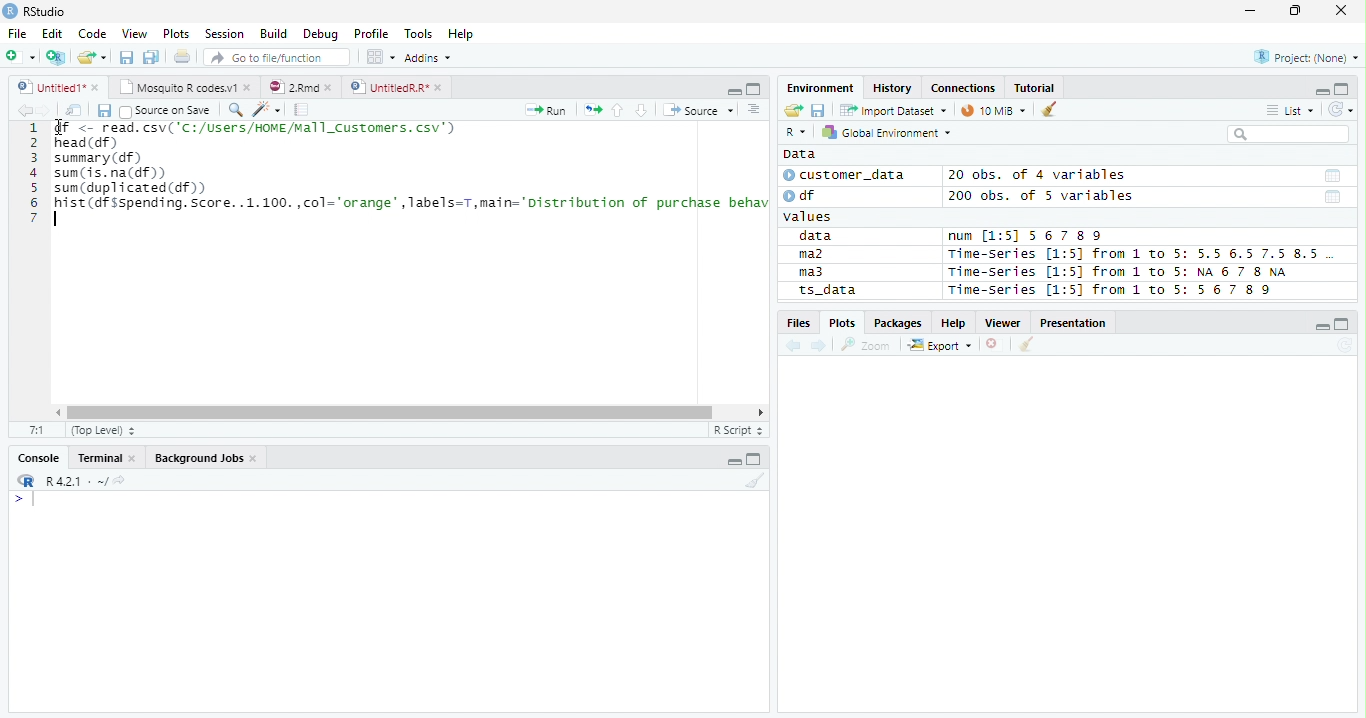 The height and width of the screenshot is (718, 1366). Describe the element at coordinates (1309, 55) in the screenshot. I see `Project (none)` at that location.